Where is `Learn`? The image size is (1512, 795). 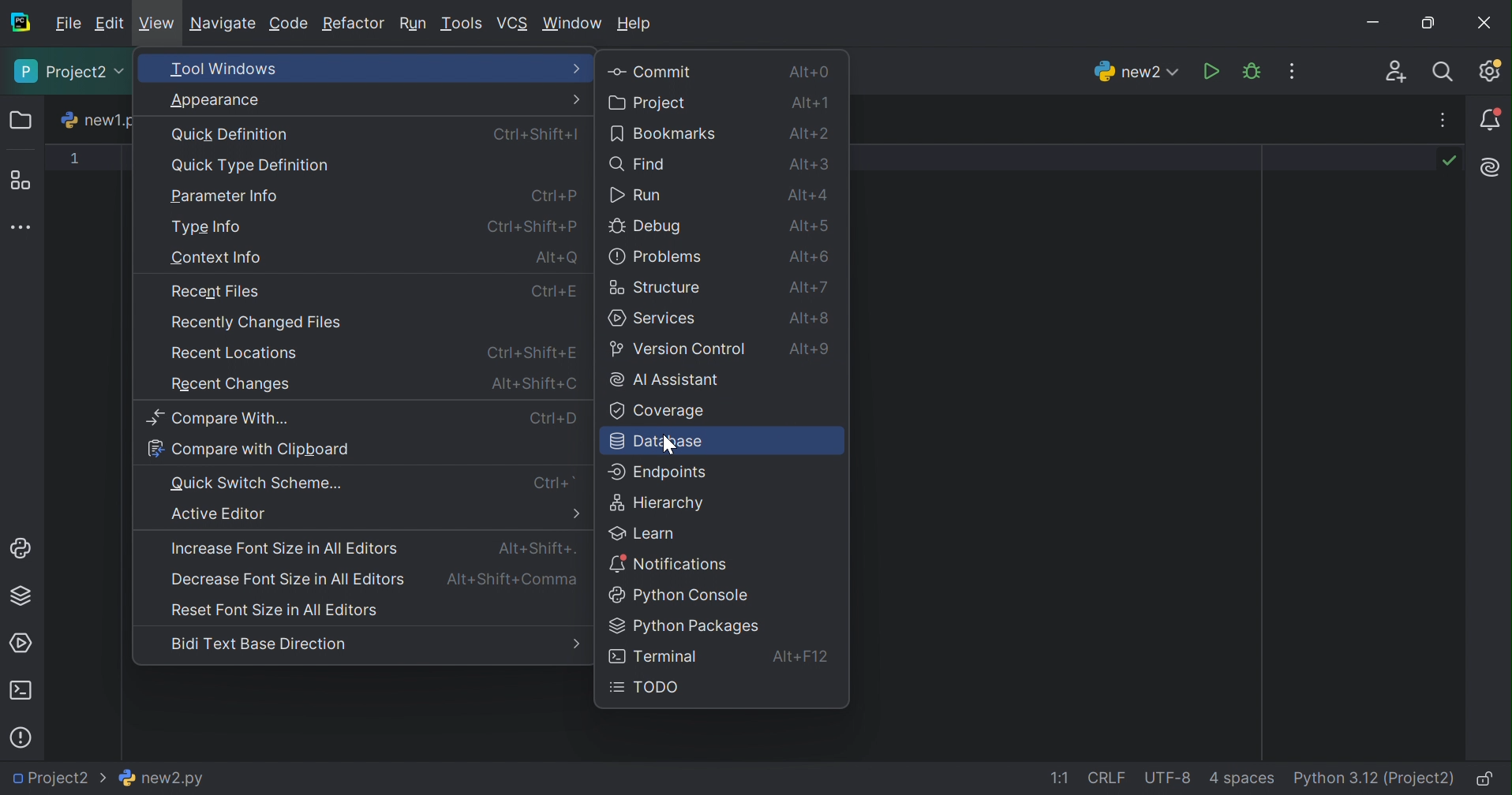 Learn is located at coordinates (640, 534).